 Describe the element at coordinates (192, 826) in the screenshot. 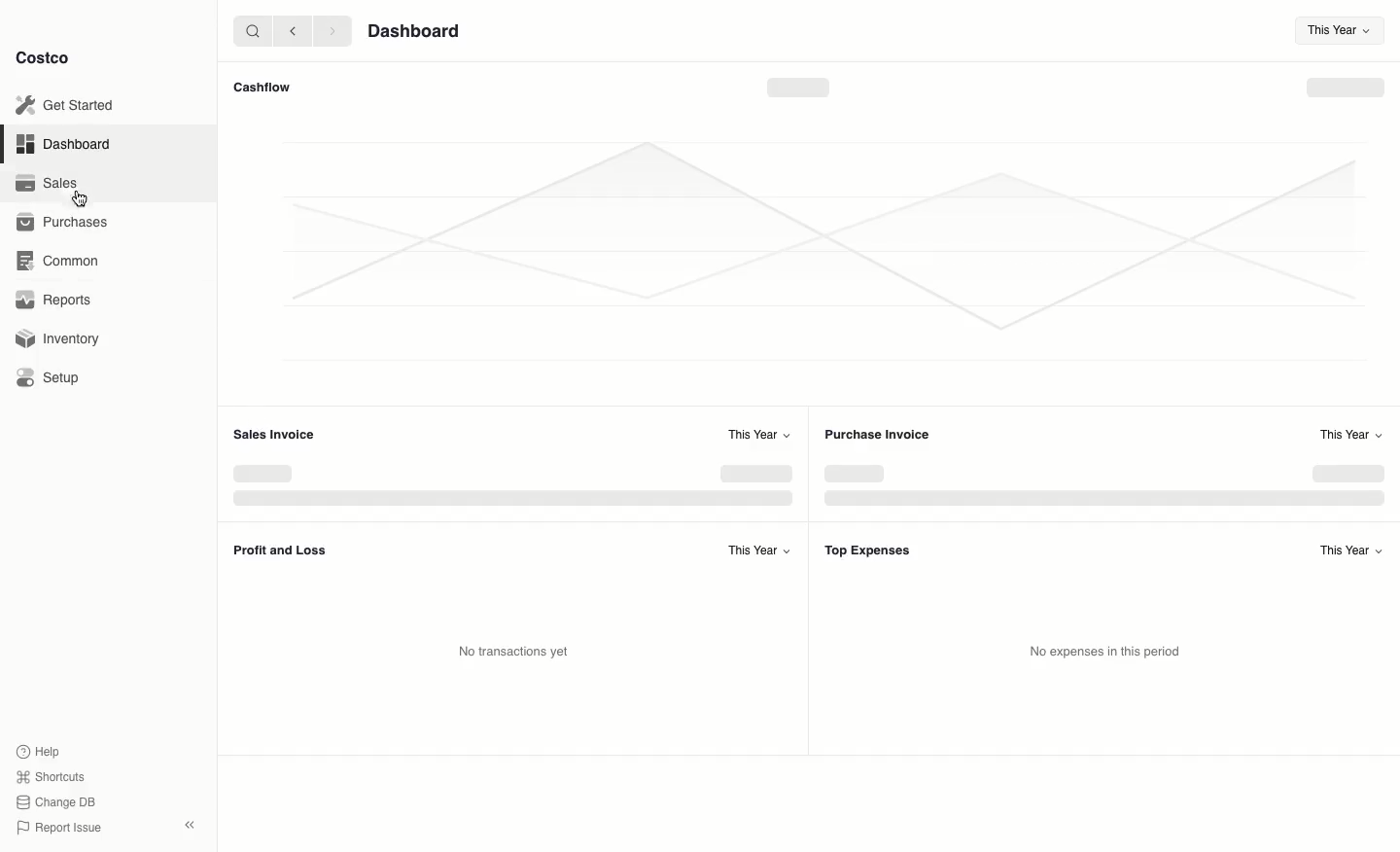

I see `Collapse` at that location.